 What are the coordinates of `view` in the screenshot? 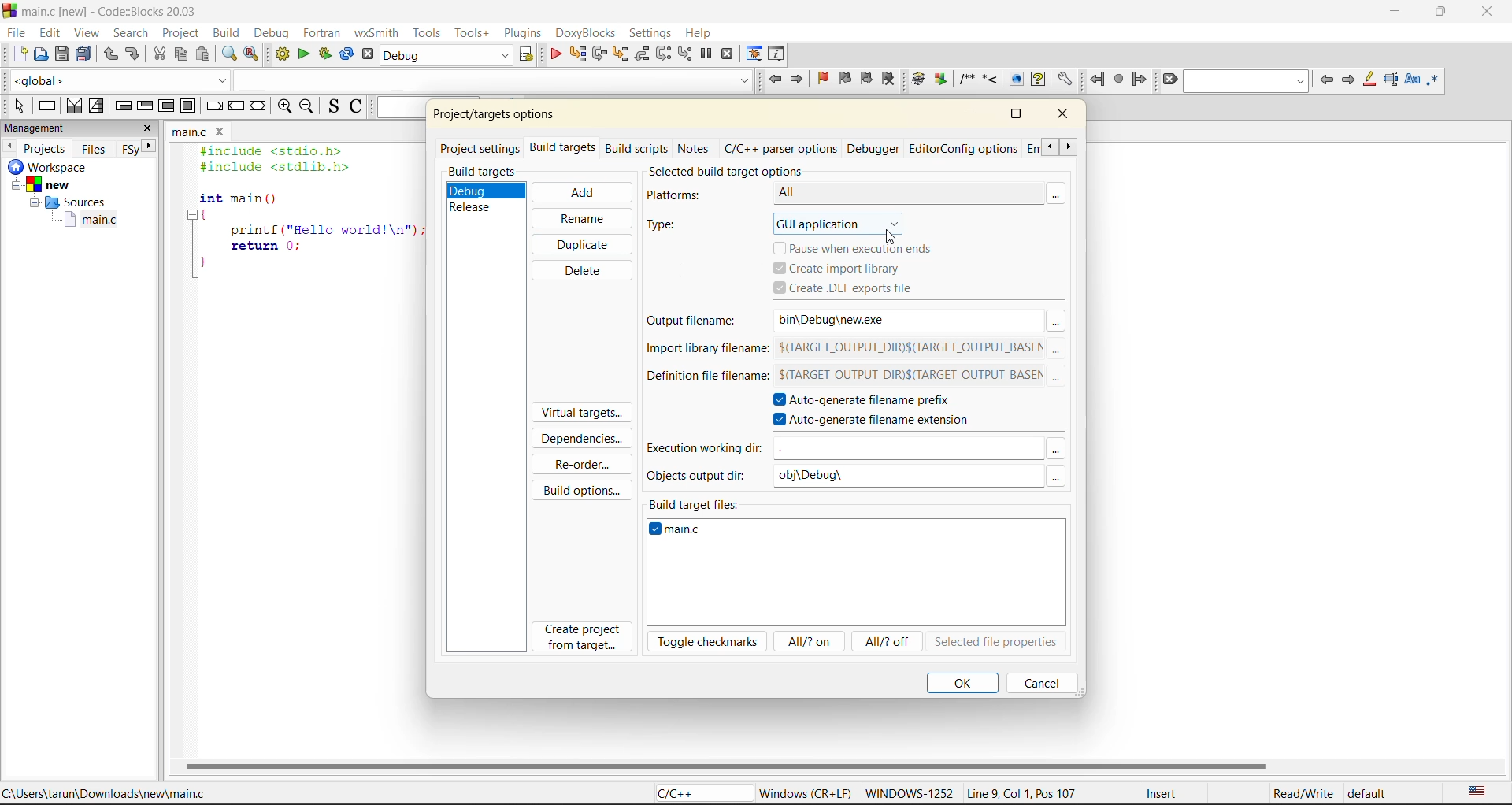 It's located at (85, 33).